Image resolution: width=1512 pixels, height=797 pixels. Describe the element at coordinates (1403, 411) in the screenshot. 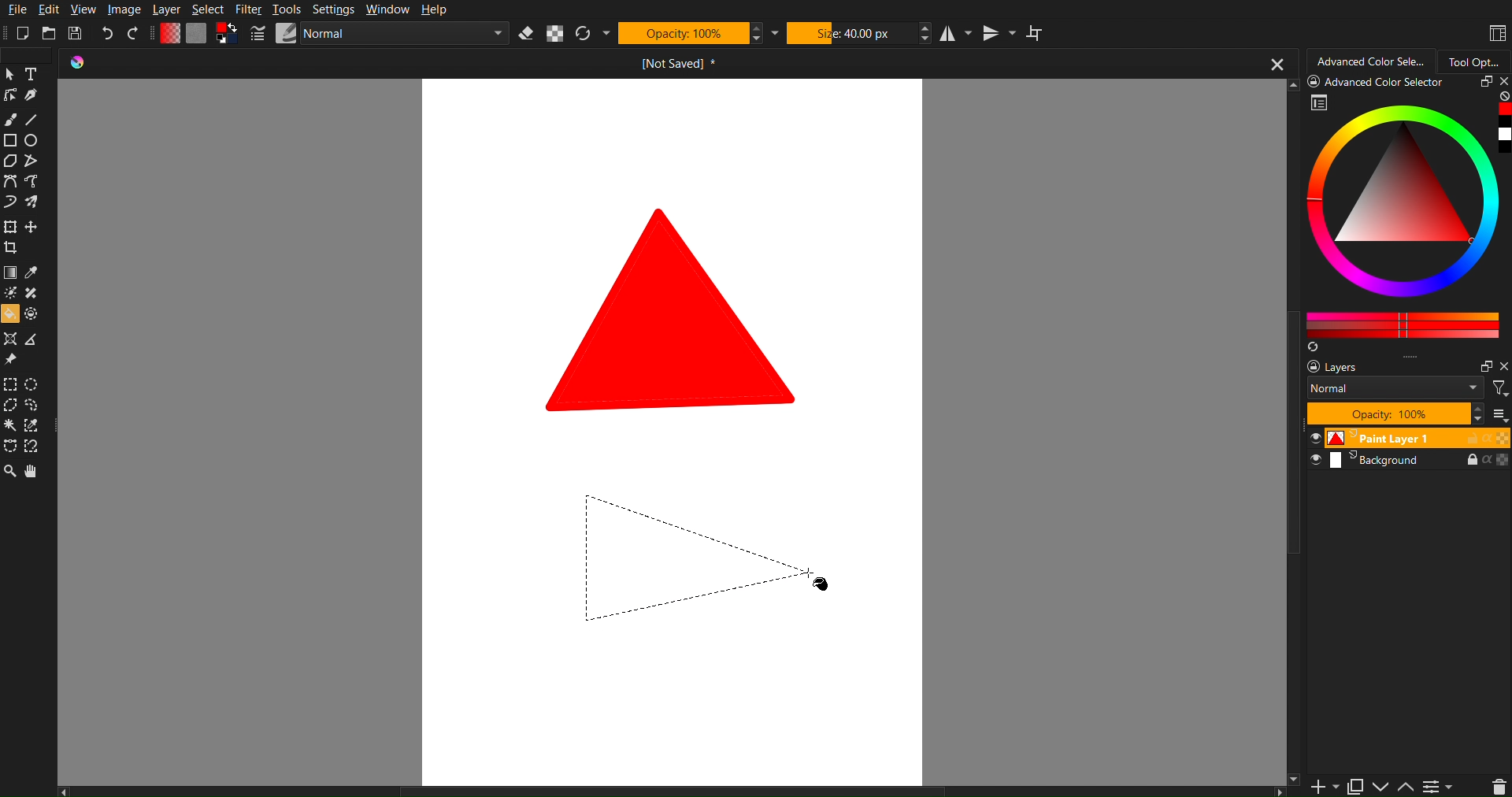

I see `Layers` at that location.